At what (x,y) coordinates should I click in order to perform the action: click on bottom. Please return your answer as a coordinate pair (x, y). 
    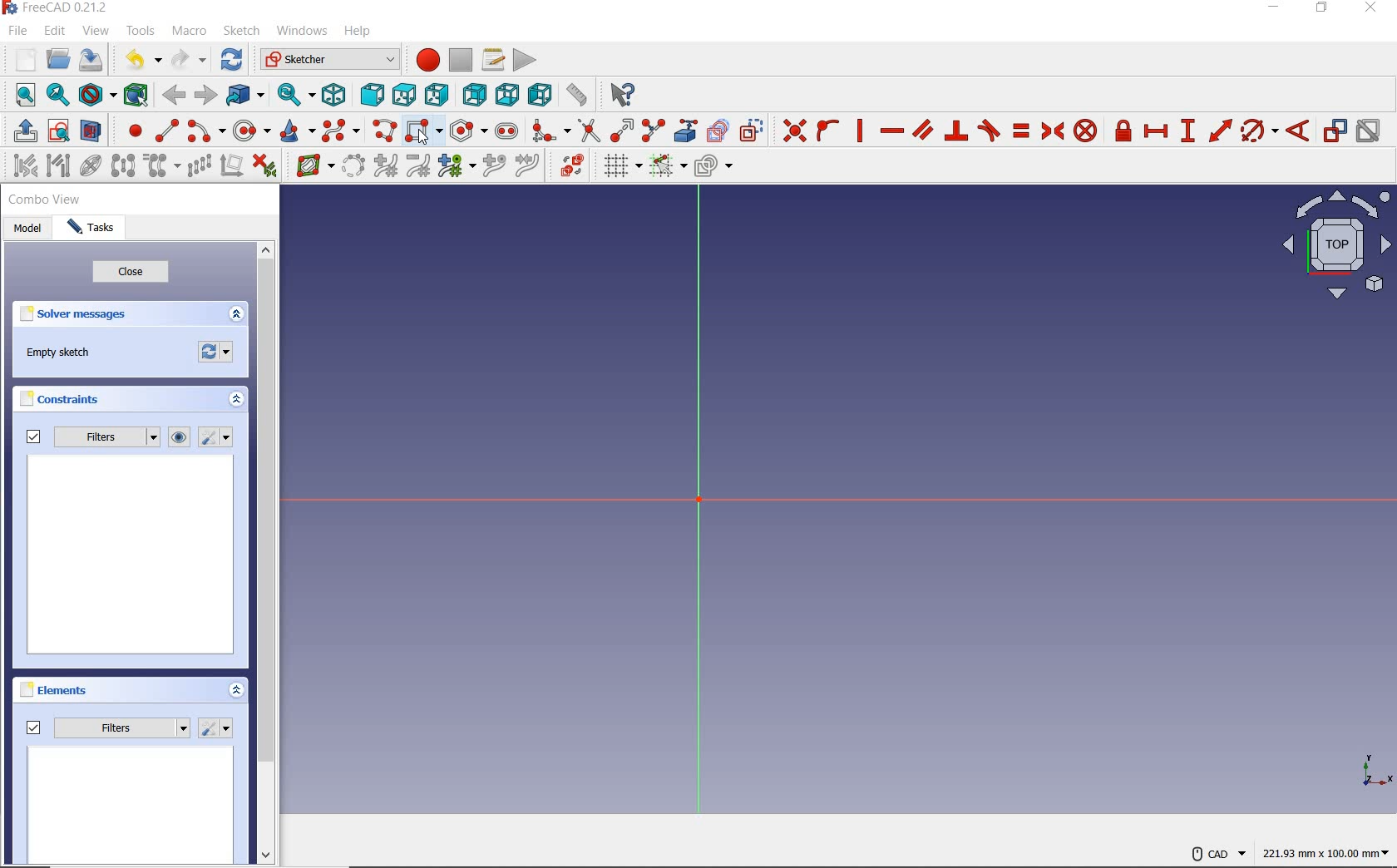
    Looking at the image, I should click on (508, 94).